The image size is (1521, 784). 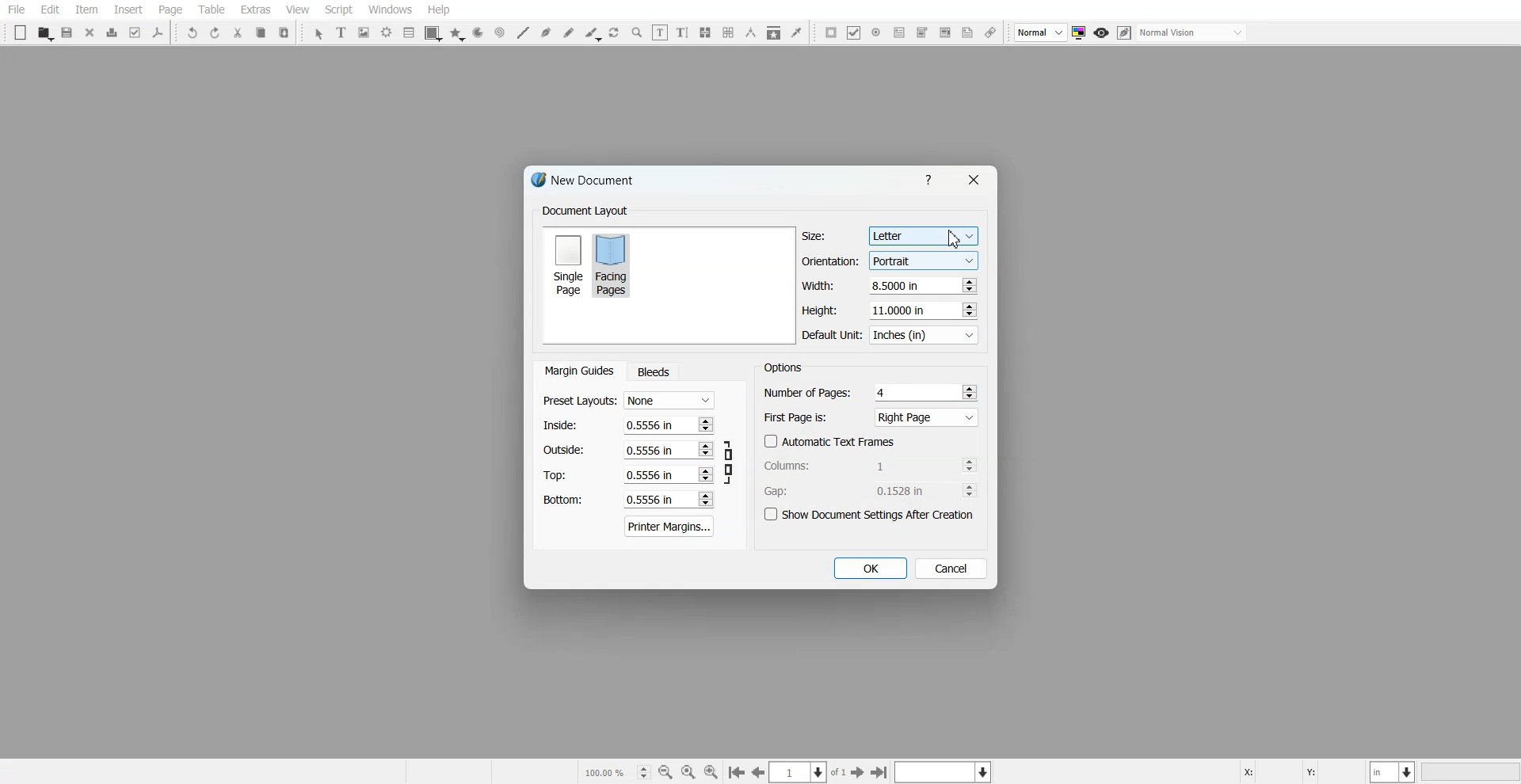 What do you see at coordinates (593, 34) in the screenshot?
I see `Calligraphic line` at bounding box center [593, 34].